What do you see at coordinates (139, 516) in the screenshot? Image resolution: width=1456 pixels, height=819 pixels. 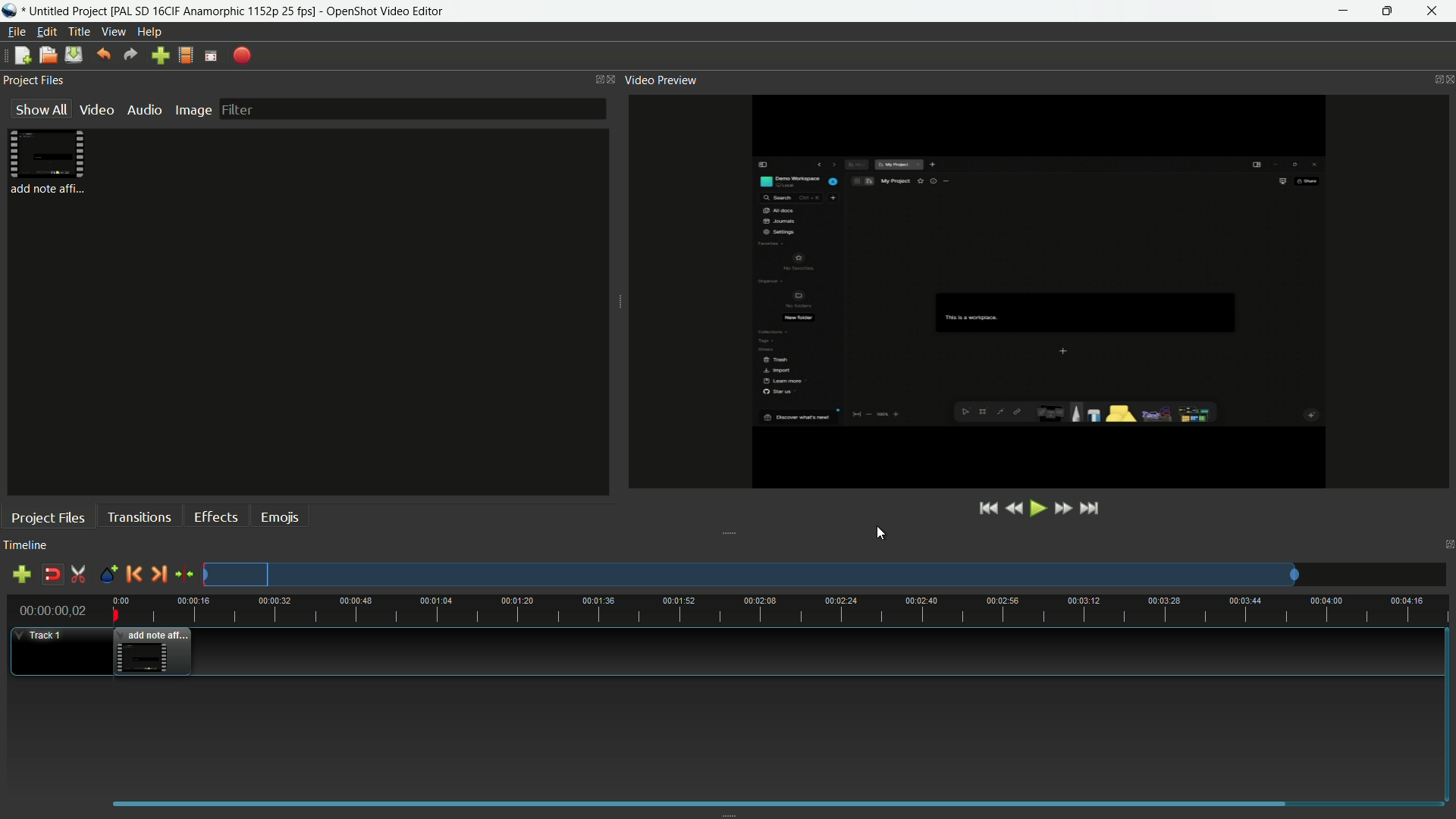 I see `transitions` at bounding box center [139, 516].